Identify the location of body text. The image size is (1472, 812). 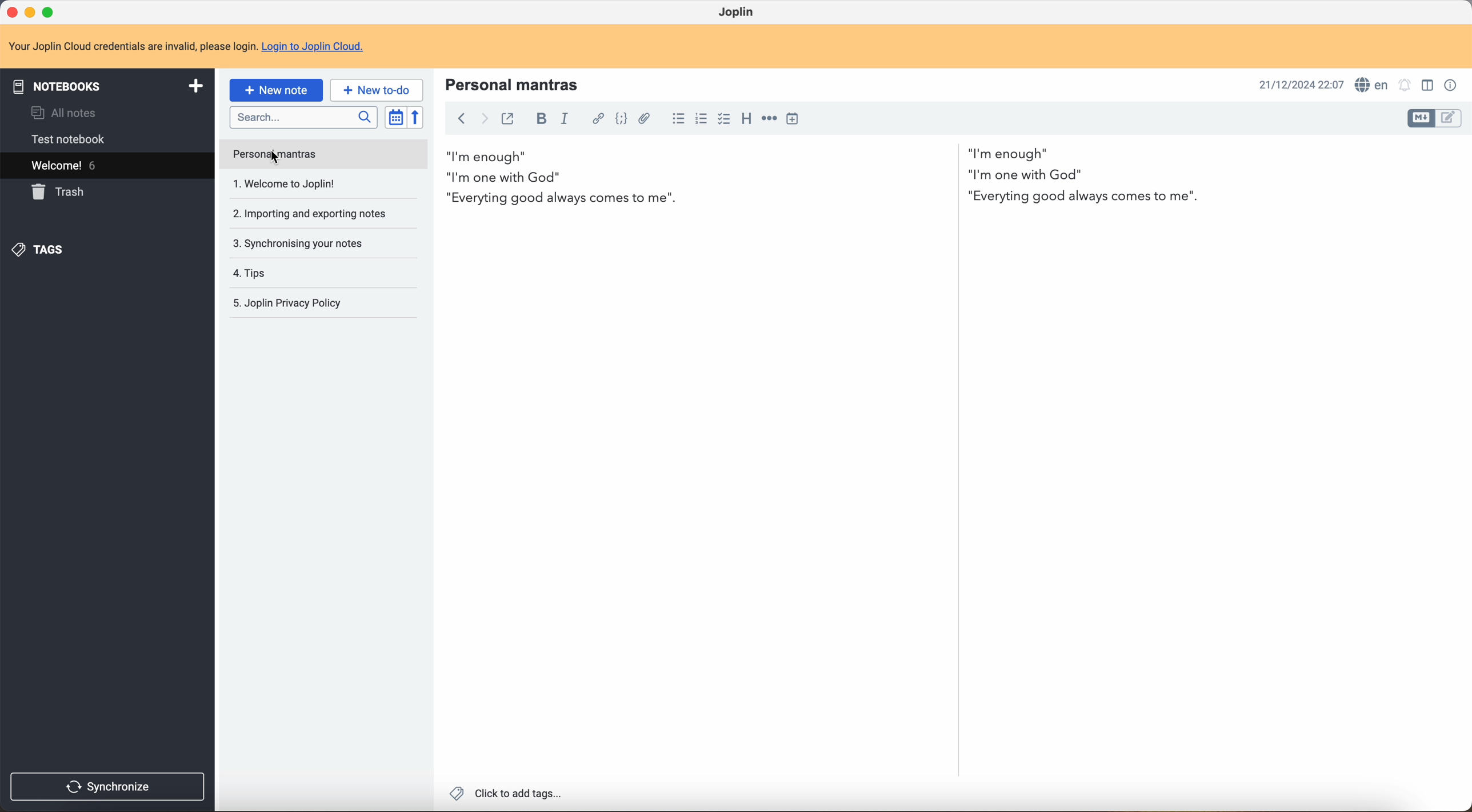
(828, 177).